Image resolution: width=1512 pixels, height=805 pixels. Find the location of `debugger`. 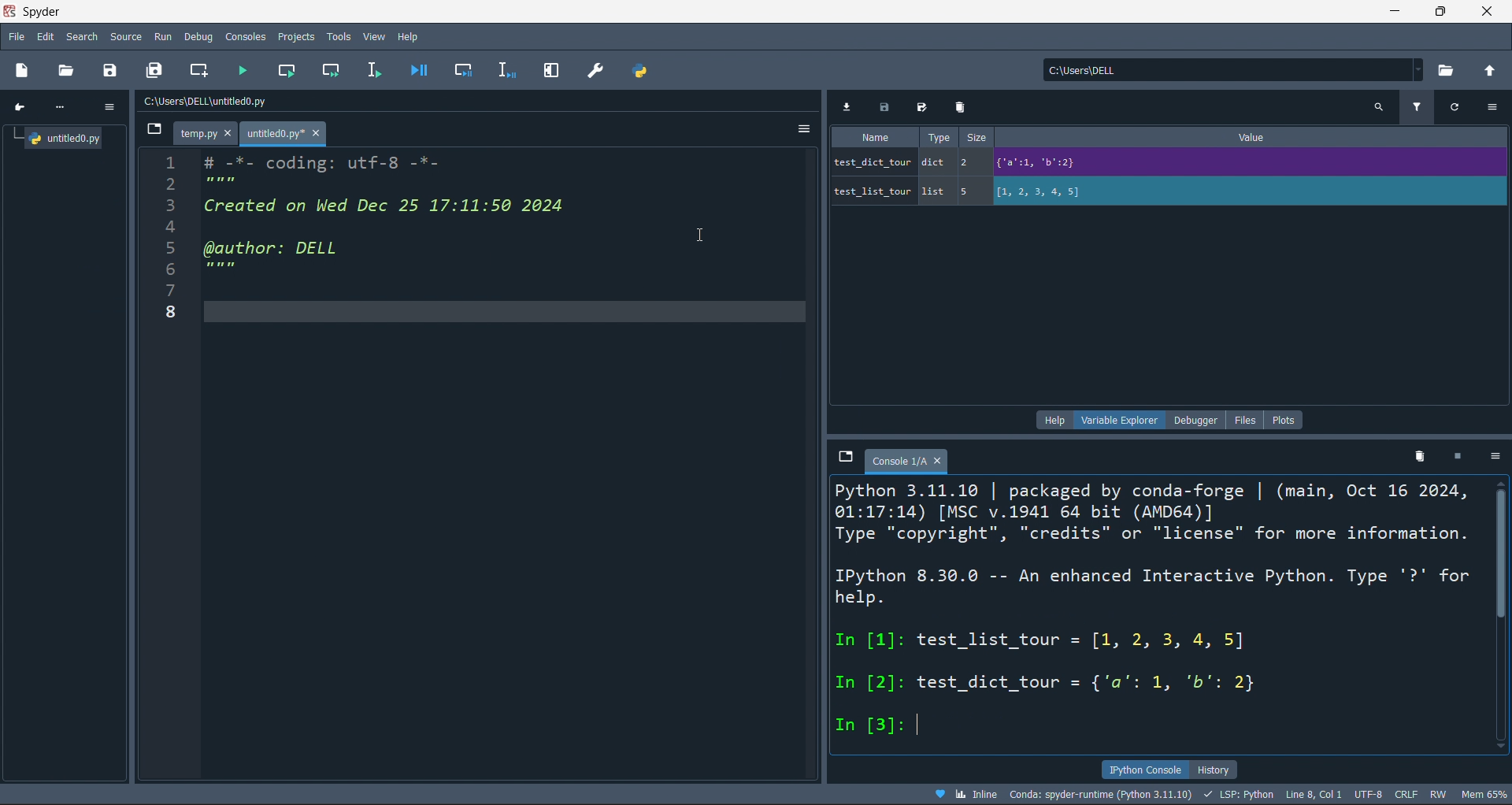

debugger is located at coordinates (1198, 419).